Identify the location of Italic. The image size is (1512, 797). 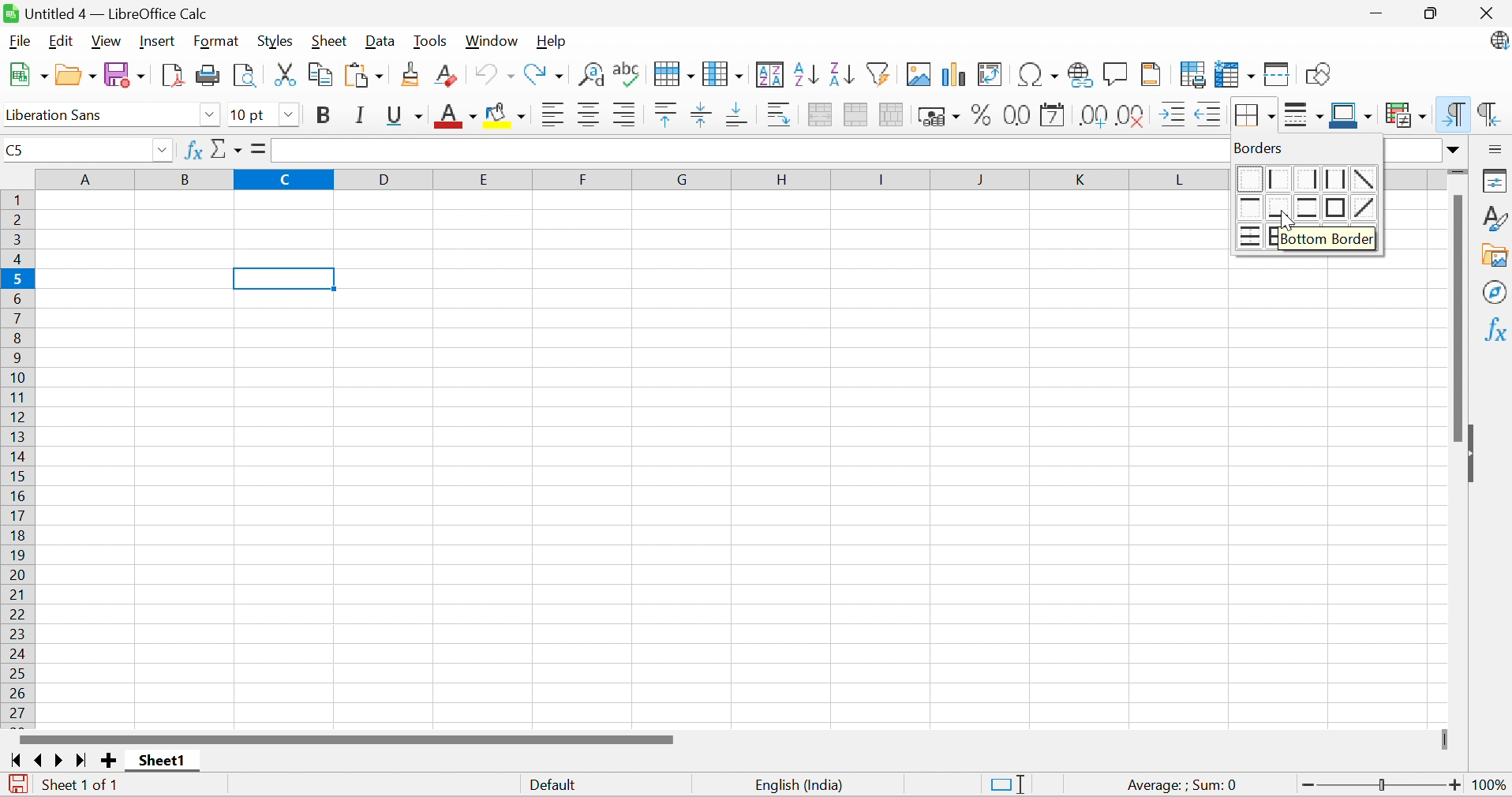
(362, 115).